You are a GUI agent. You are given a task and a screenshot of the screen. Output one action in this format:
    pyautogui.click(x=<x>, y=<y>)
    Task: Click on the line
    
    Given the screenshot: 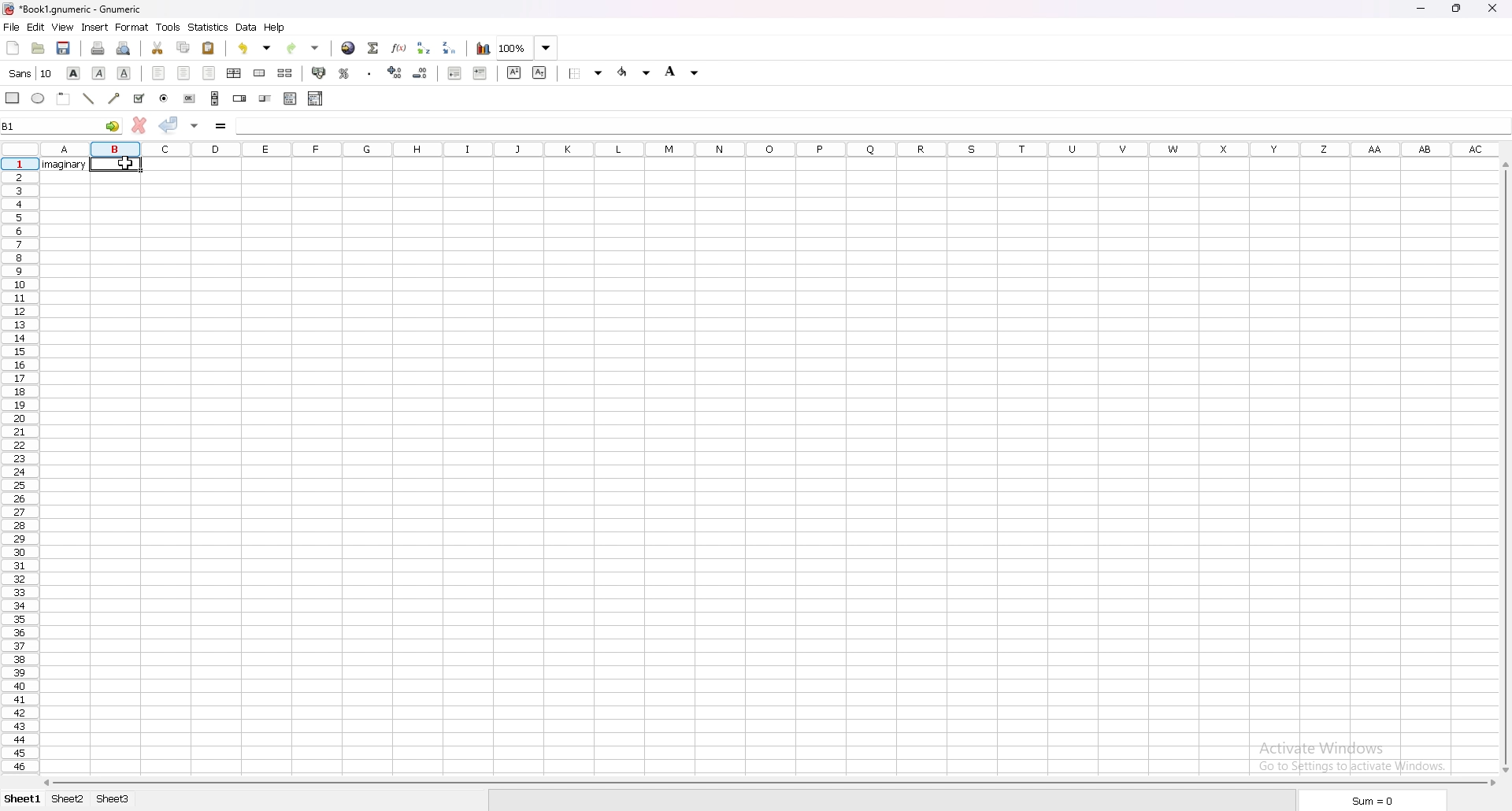 What is the action you would take?
    pyautogui.click(x=88, y=98)
    